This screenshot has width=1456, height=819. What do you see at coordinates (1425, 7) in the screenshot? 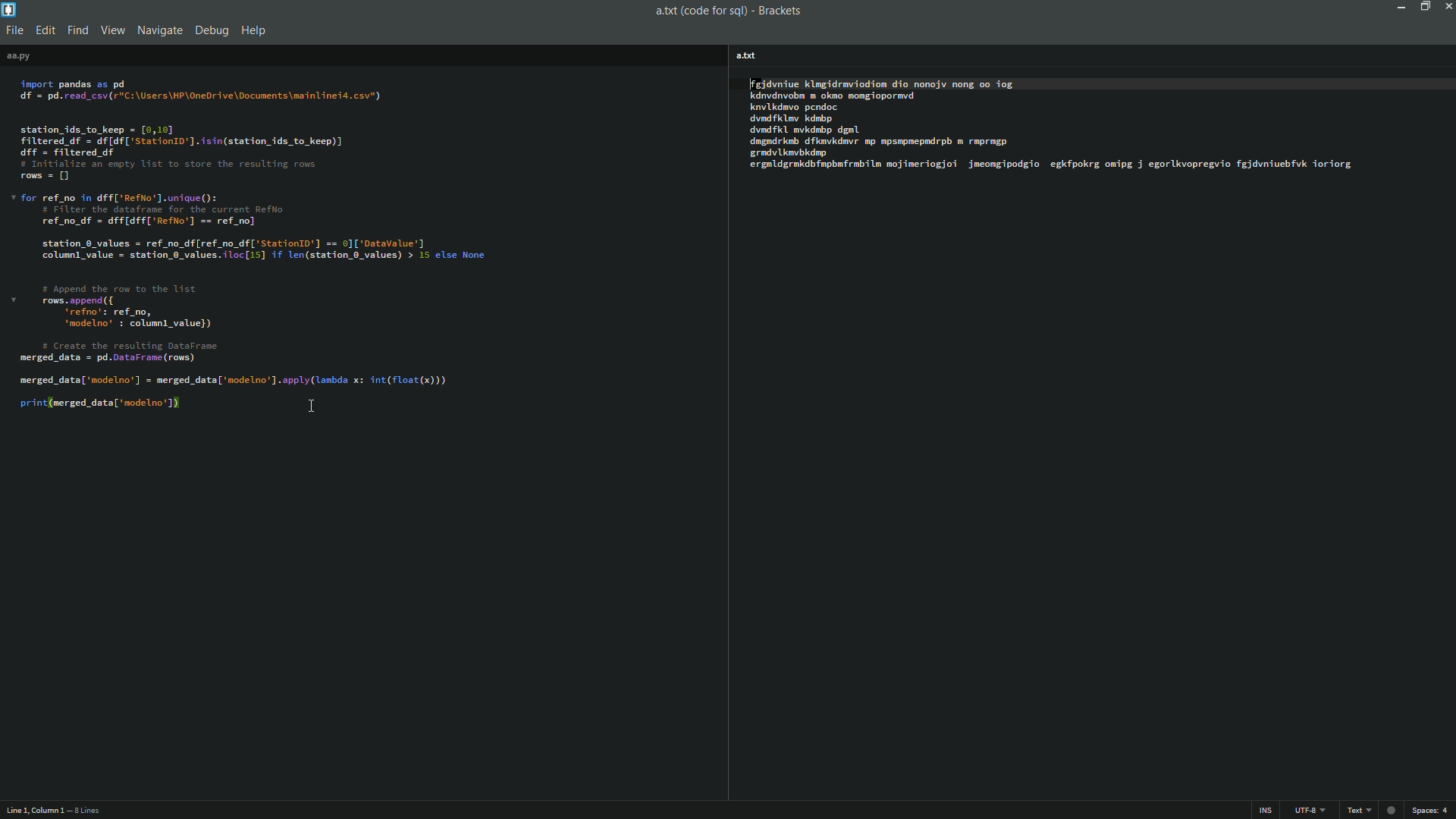
I see `maximize` at bounding box center [1425, 7].